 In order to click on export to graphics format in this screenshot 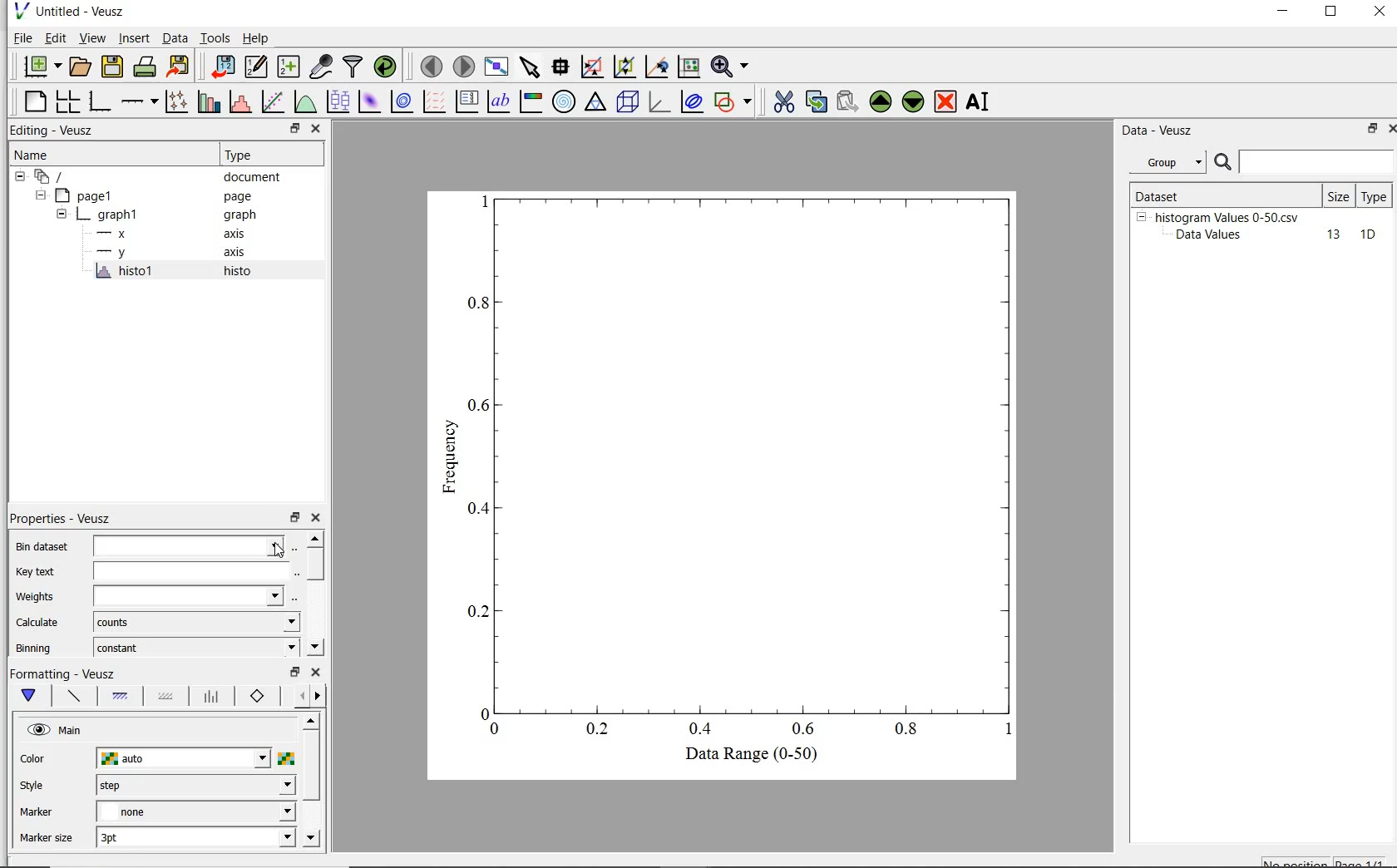, I will do `click(180, 65)`.